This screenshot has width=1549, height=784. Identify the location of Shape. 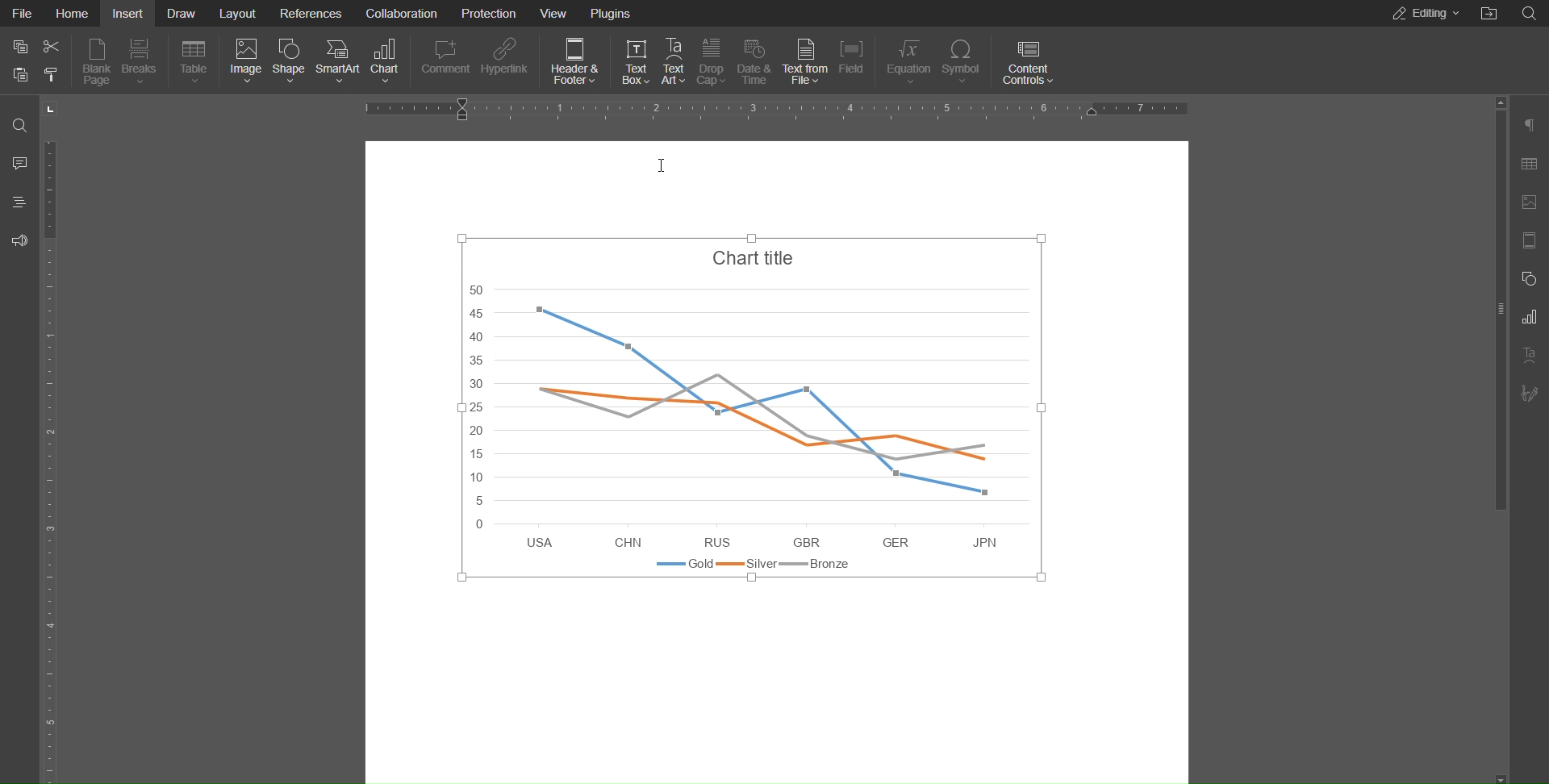
(291, 64).